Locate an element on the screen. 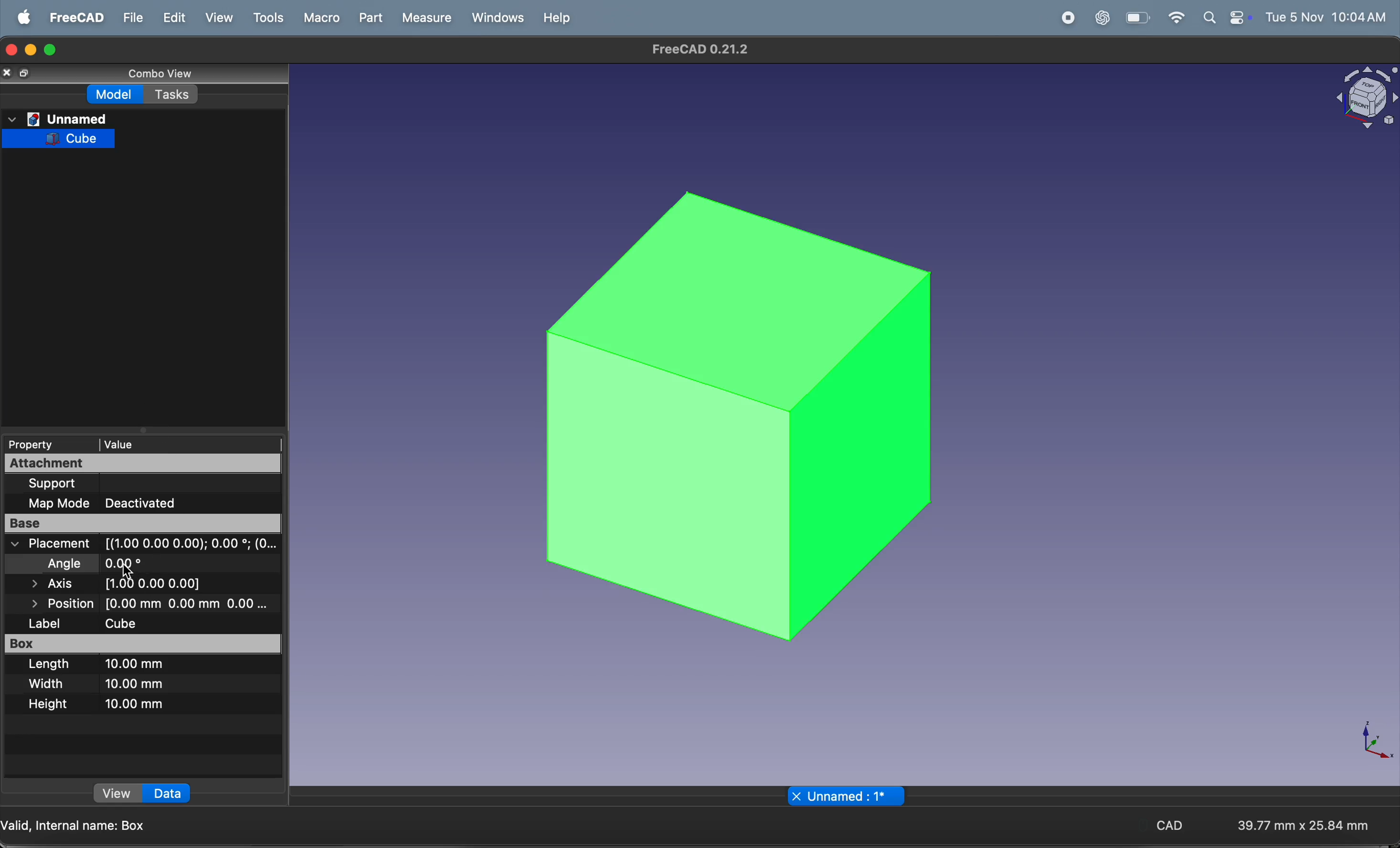 The image size is (1400, 848). record is located at coordinates (1064, 16).